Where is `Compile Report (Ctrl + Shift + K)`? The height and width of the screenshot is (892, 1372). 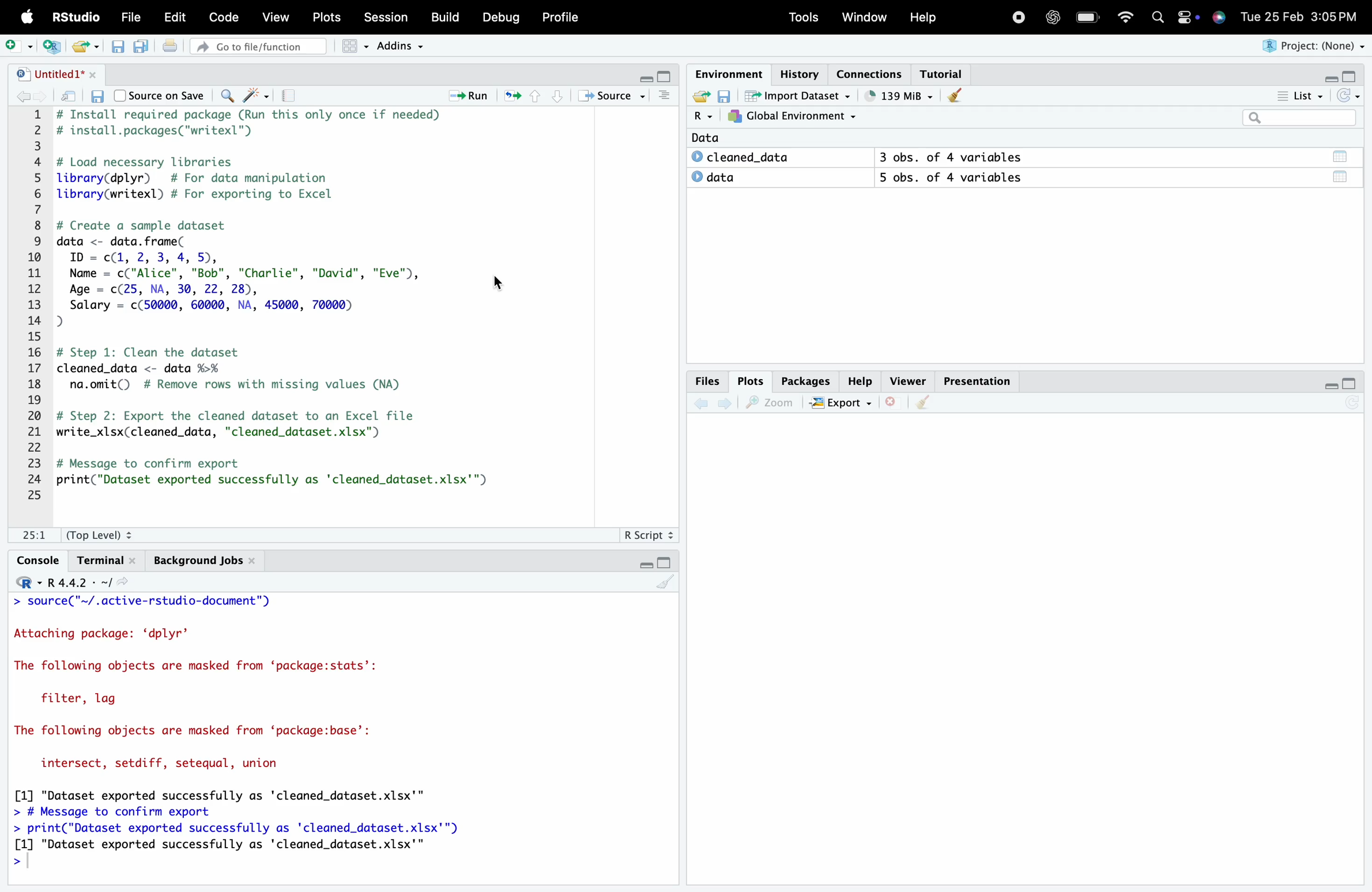 Compile Report (Ctrl + Shift + K) is located at coordinates (288, 95).